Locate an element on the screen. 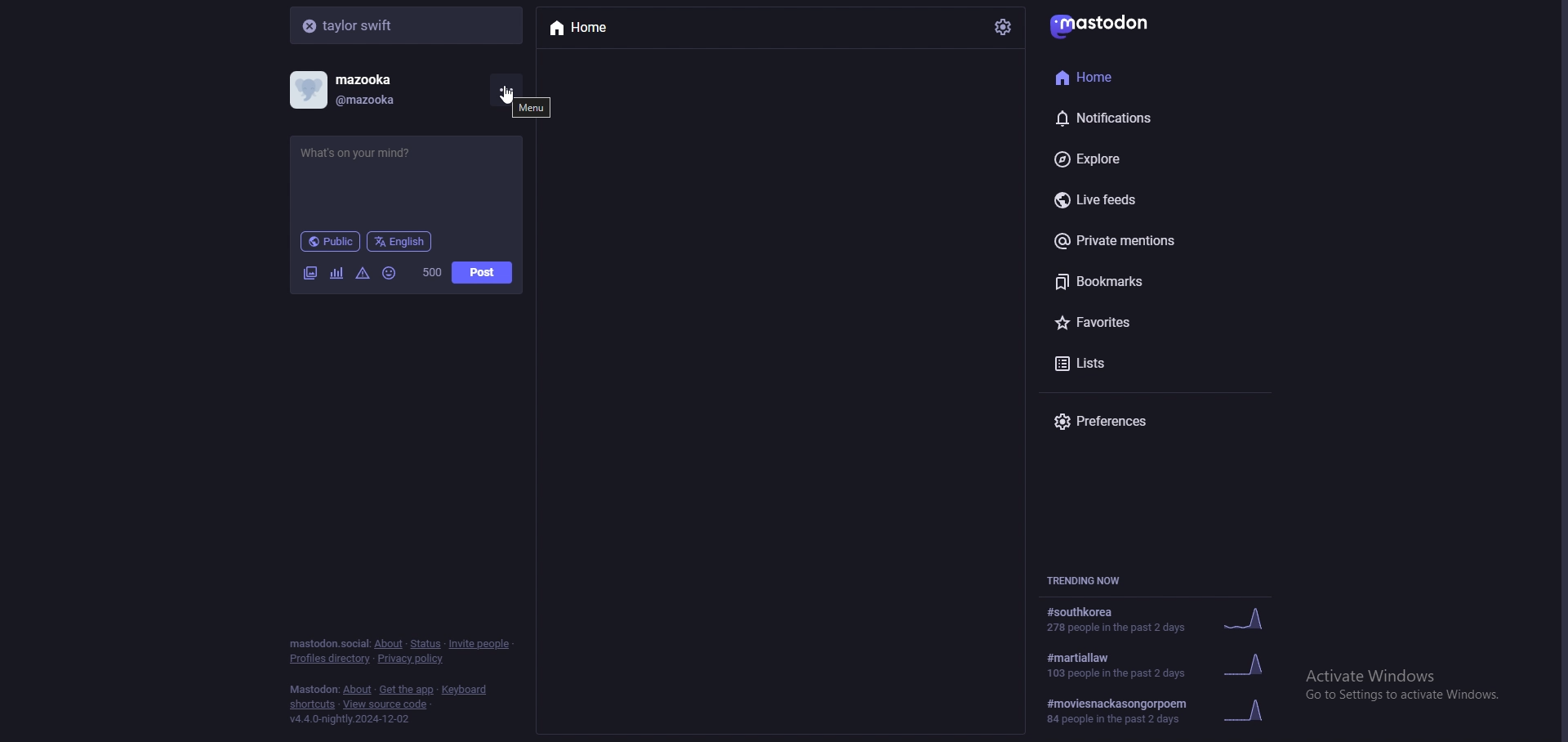  windows activation prompt is located at coordinates (1414, 691).